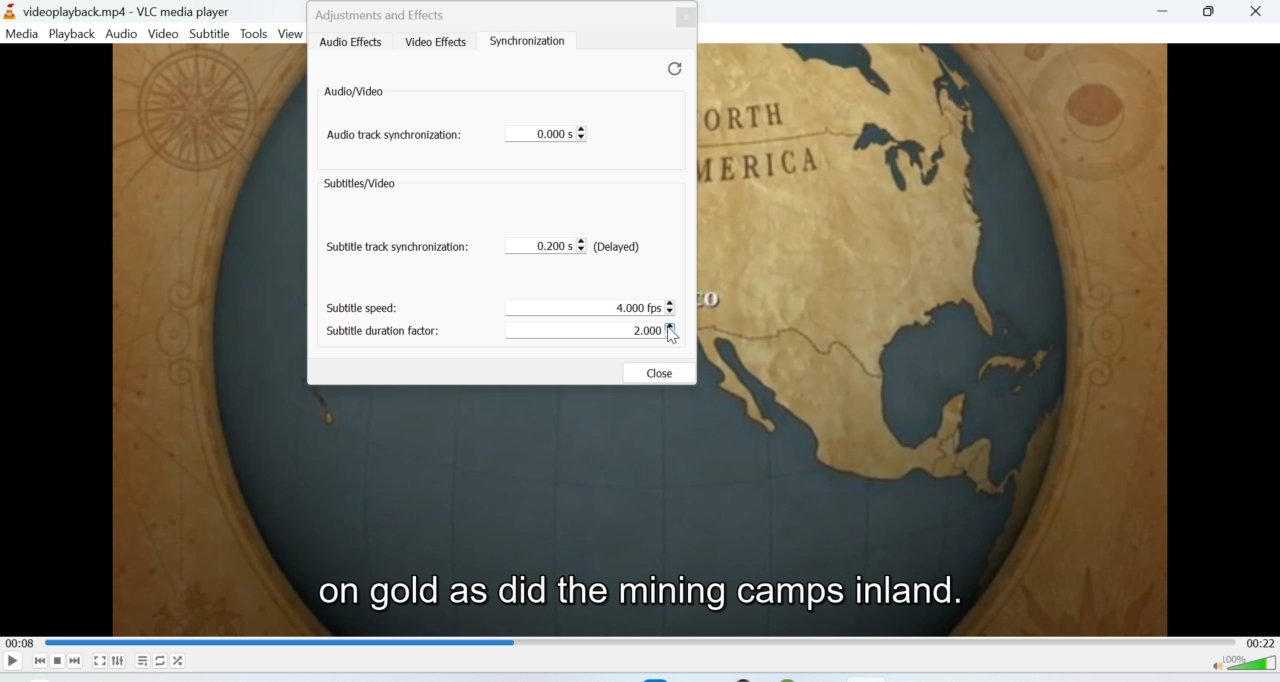 The height and width of the screenshot is (682, 1280). Describe the element at coordinates (1210, 13) in the screenshot. I see `Maximise` at that location.